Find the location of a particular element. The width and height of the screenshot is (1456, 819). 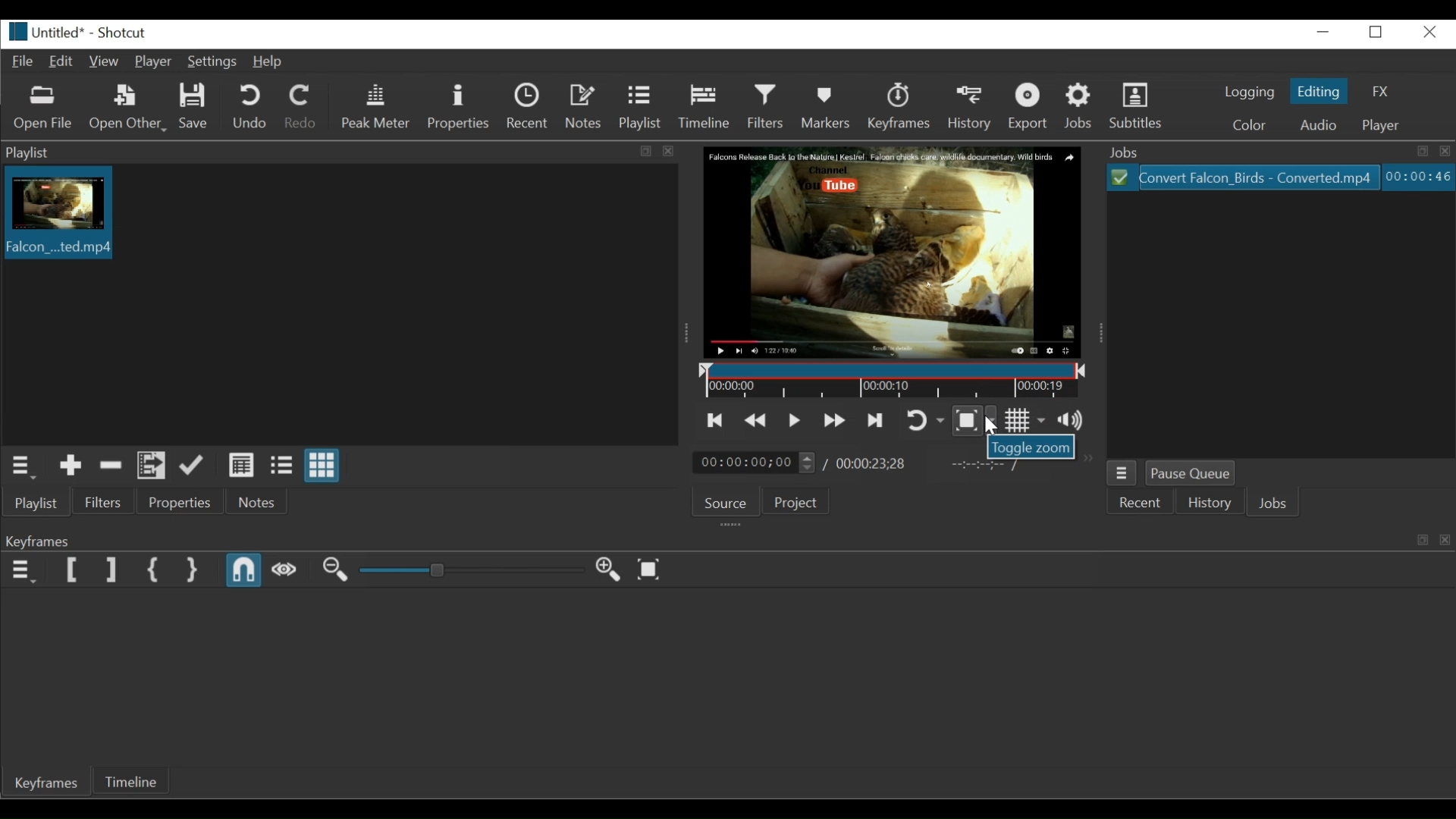

In point is located at coordinates (979, 470).